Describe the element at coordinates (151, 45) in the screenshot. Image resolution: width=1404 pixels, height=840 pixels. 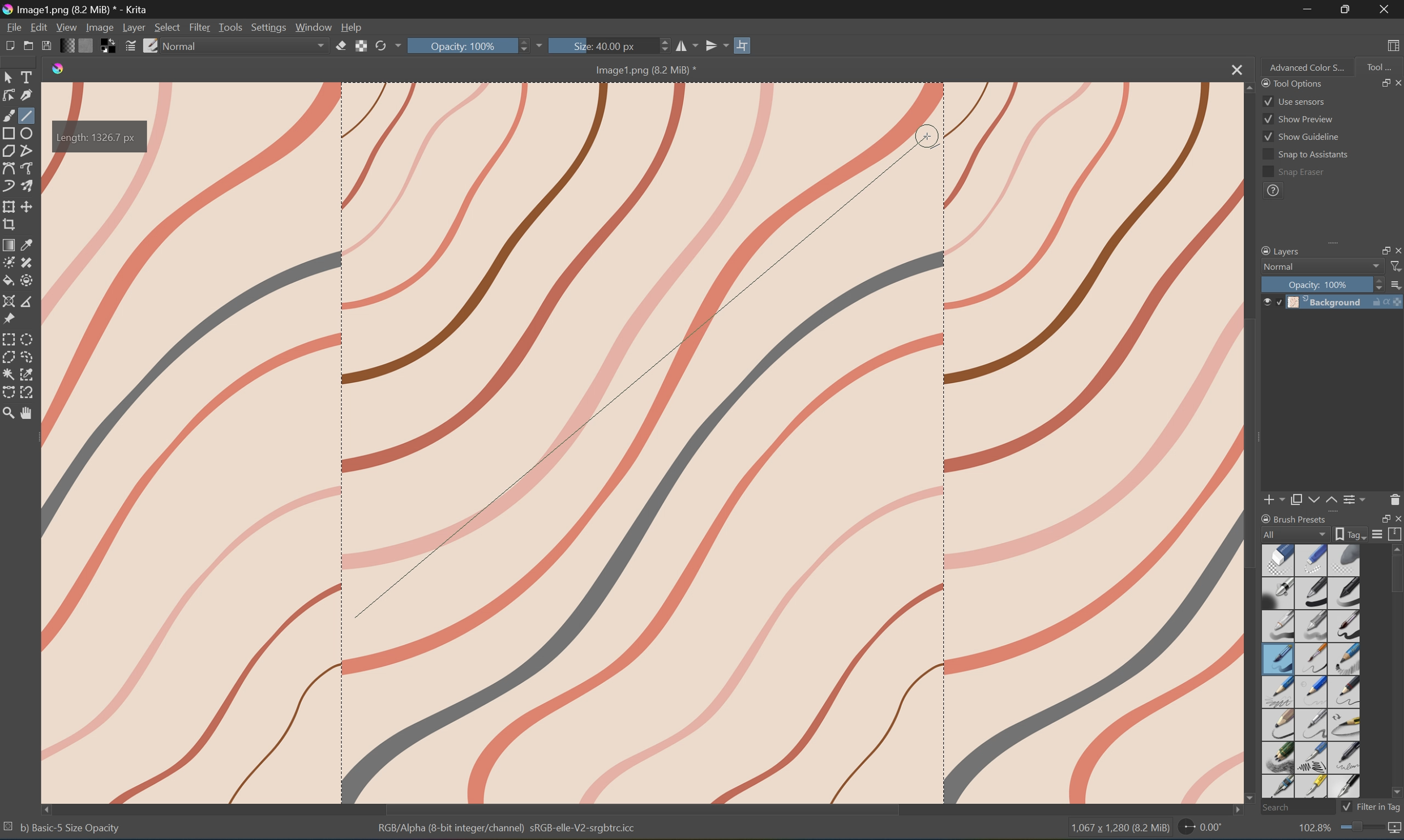
I see `Choose brush preset` at that location.